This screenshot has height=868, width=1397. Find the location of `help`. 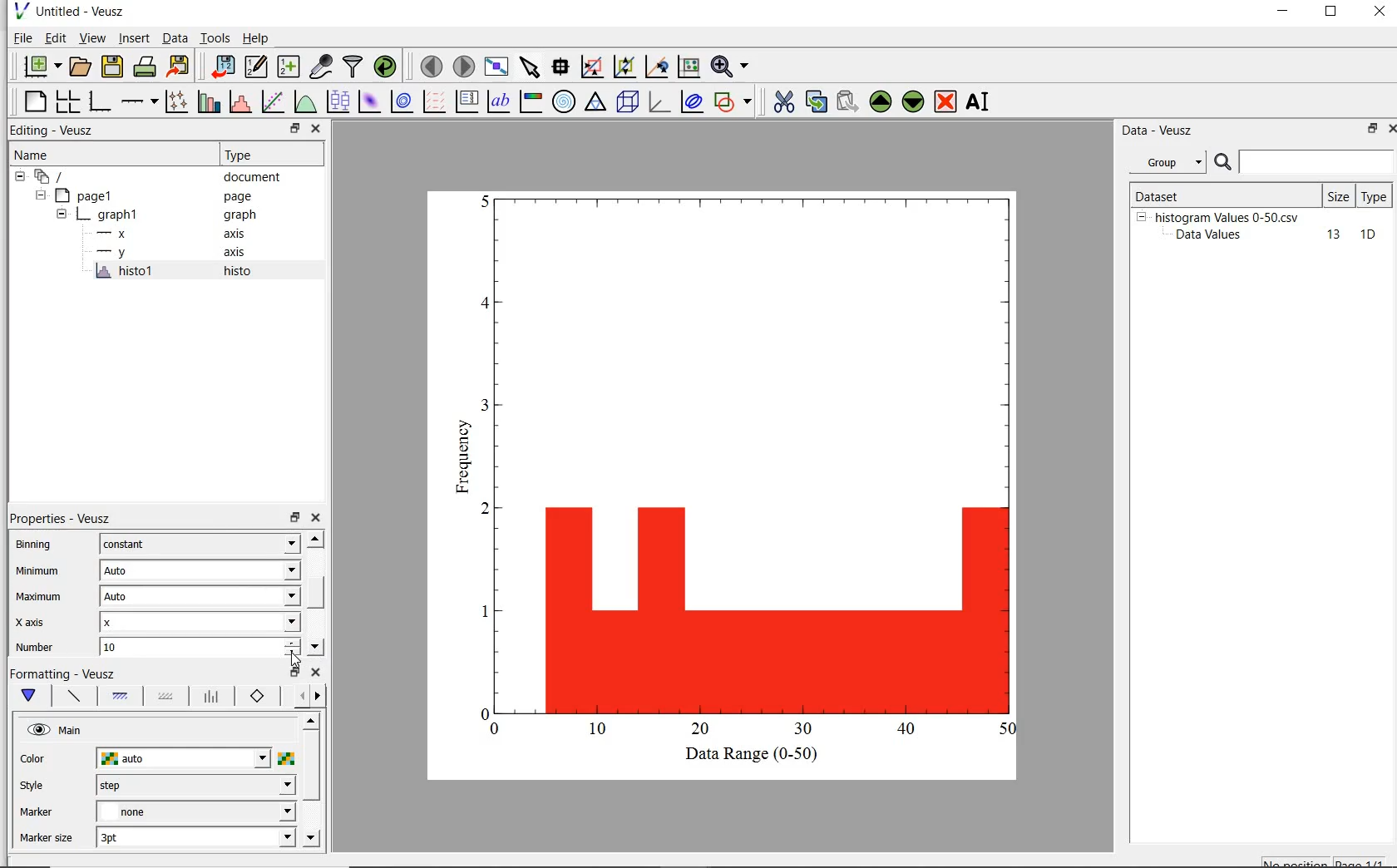

help is located at coordinates (259, 38).